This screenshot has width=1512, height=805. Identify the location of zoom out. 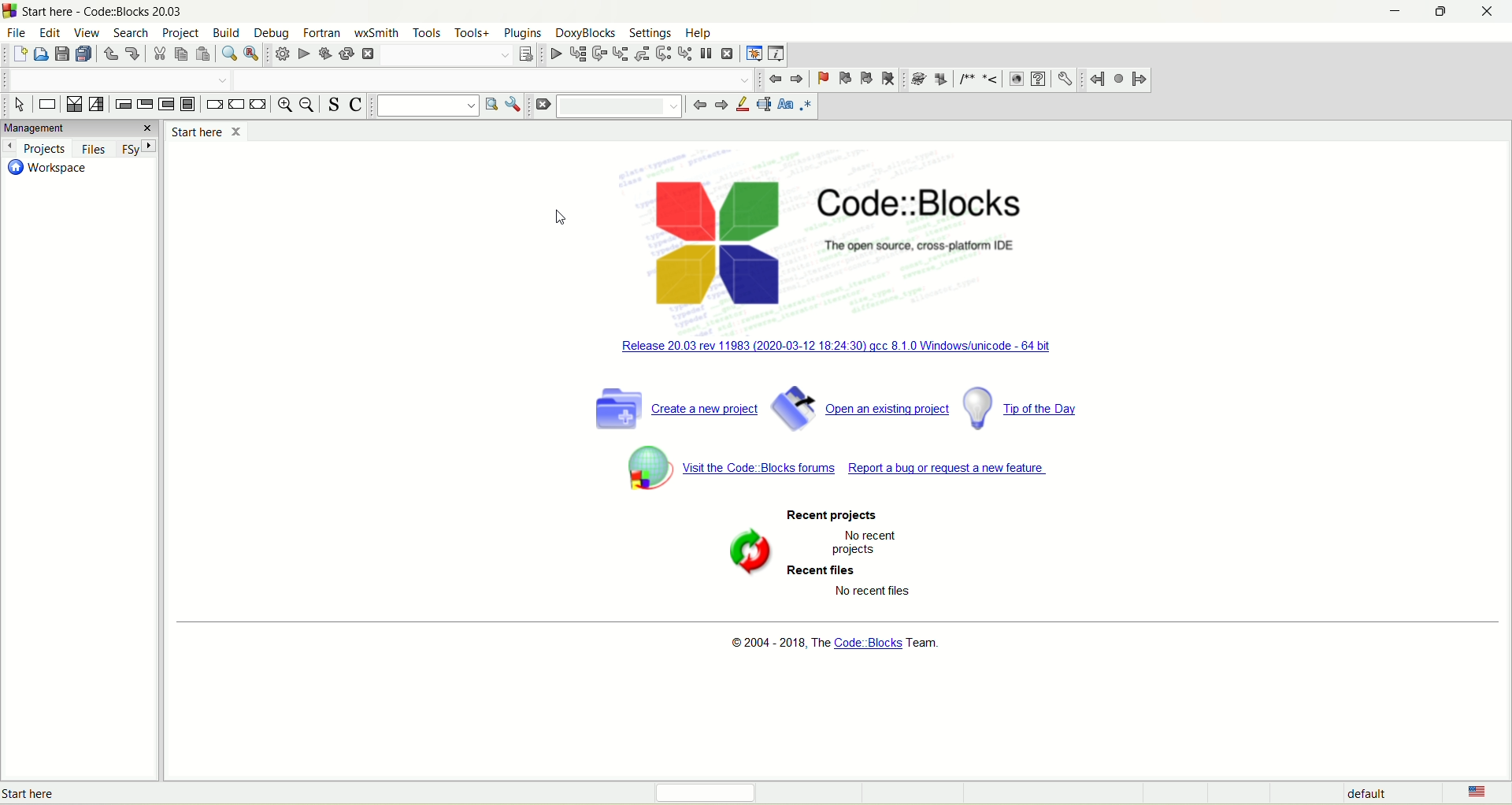
(306, 106).